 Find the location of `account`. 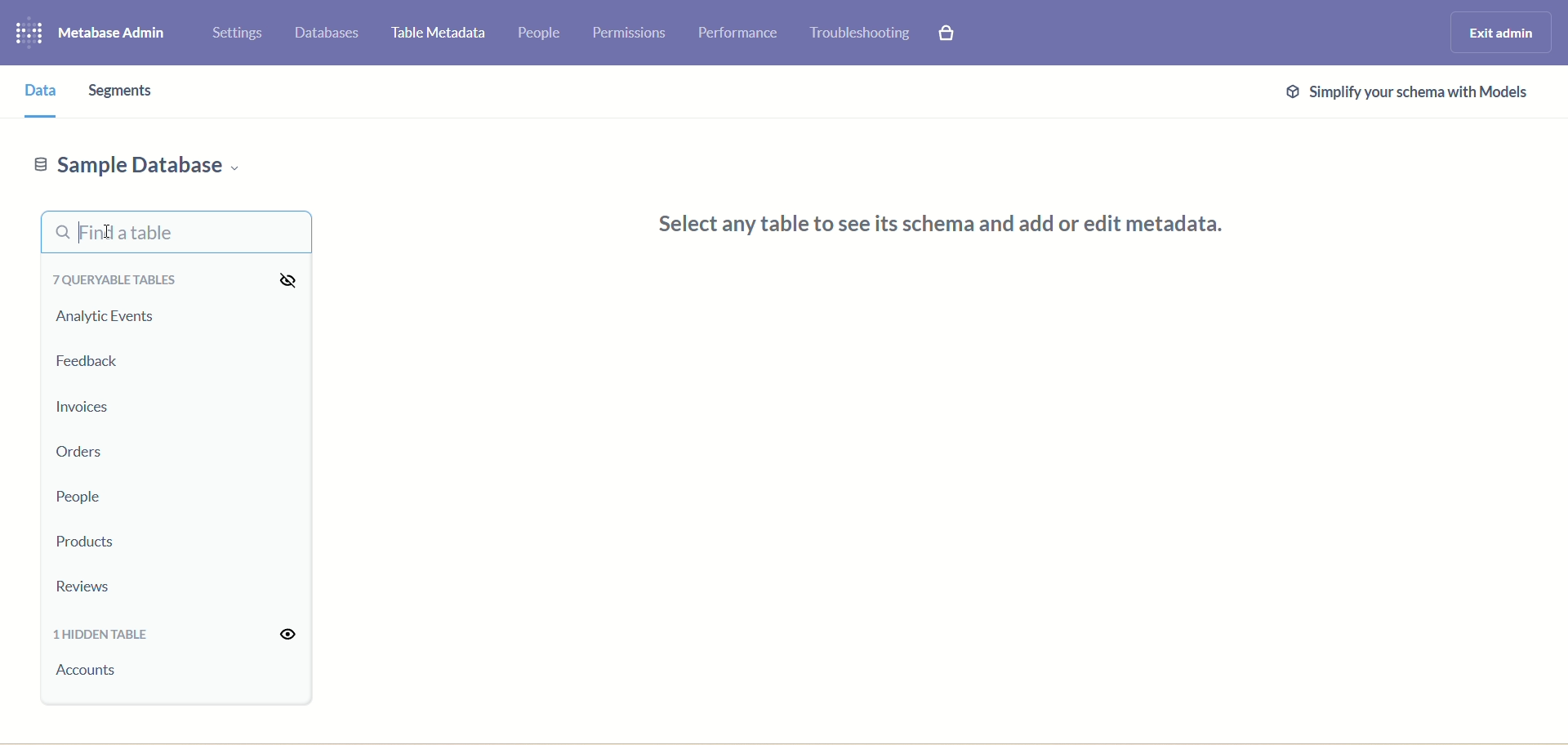

account is located at coordinates (87, 671).